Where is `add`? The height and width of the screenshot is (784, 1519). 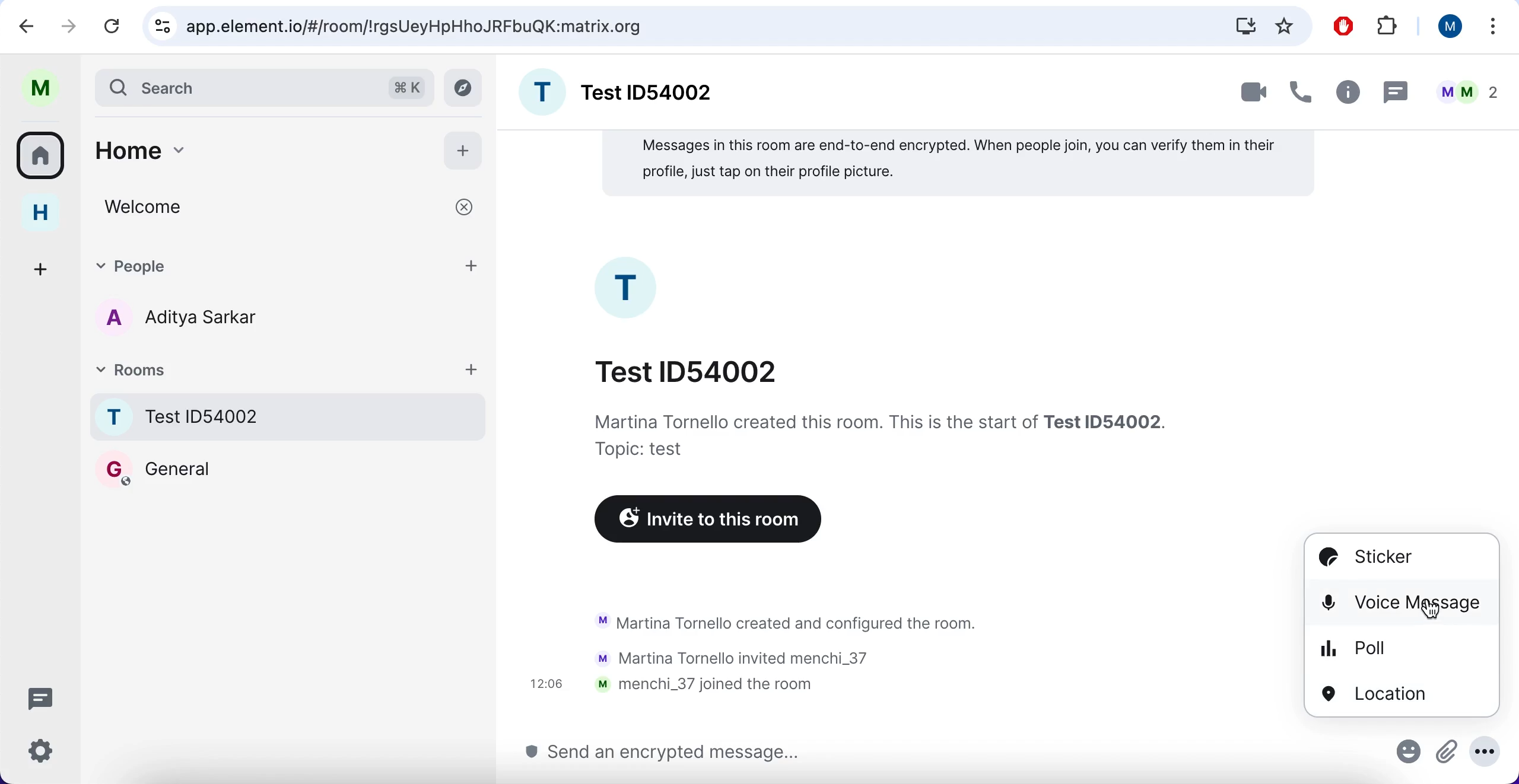 add is located at coordinates (465, 151).